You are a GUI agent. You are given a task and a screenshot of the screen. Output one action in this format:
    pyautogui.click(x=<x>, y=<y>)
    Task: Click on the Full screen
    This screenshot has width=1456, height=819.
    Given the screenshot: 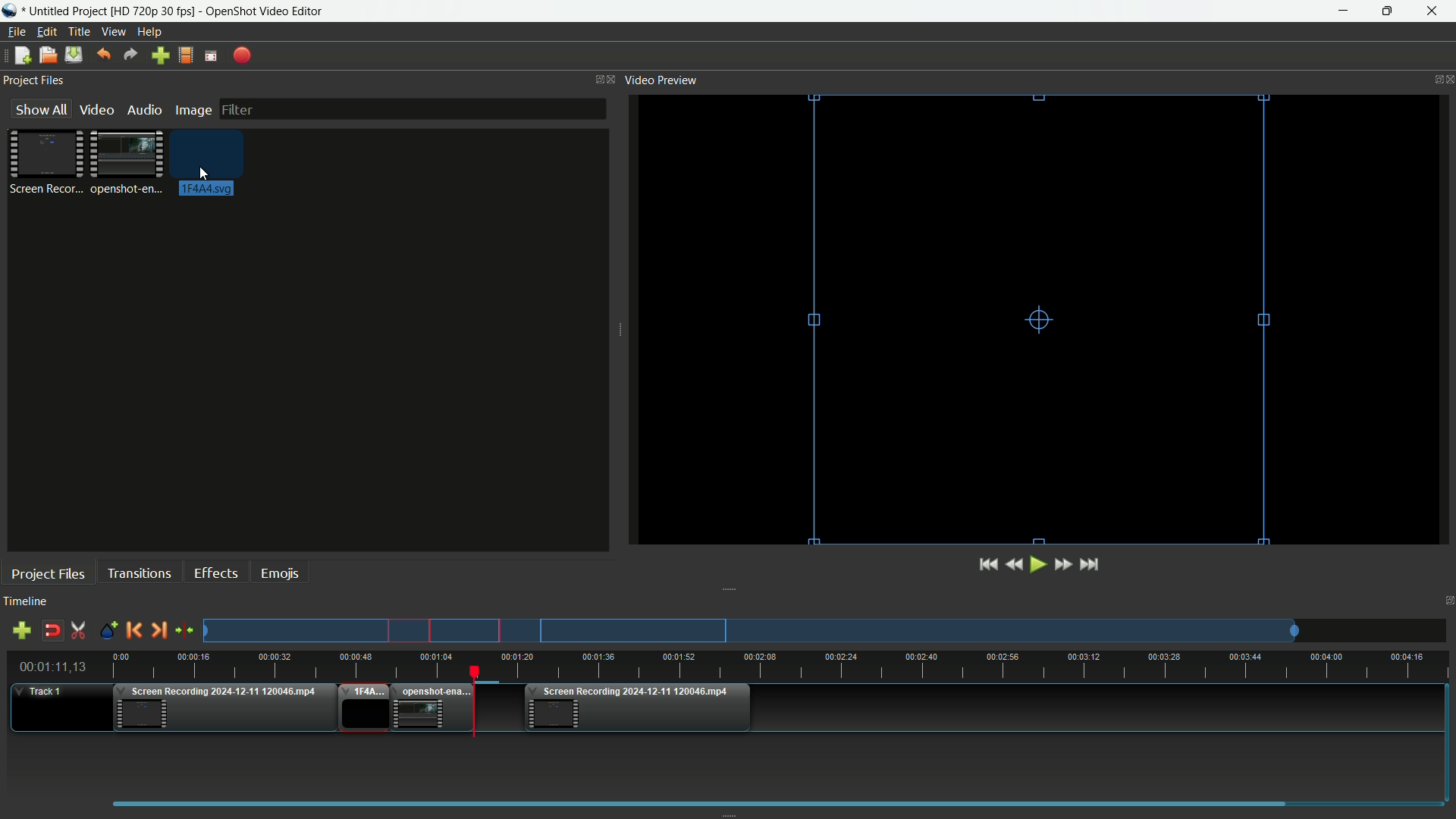 What is the action you would take?
    pyautogui.click(x=211, y=56)
    